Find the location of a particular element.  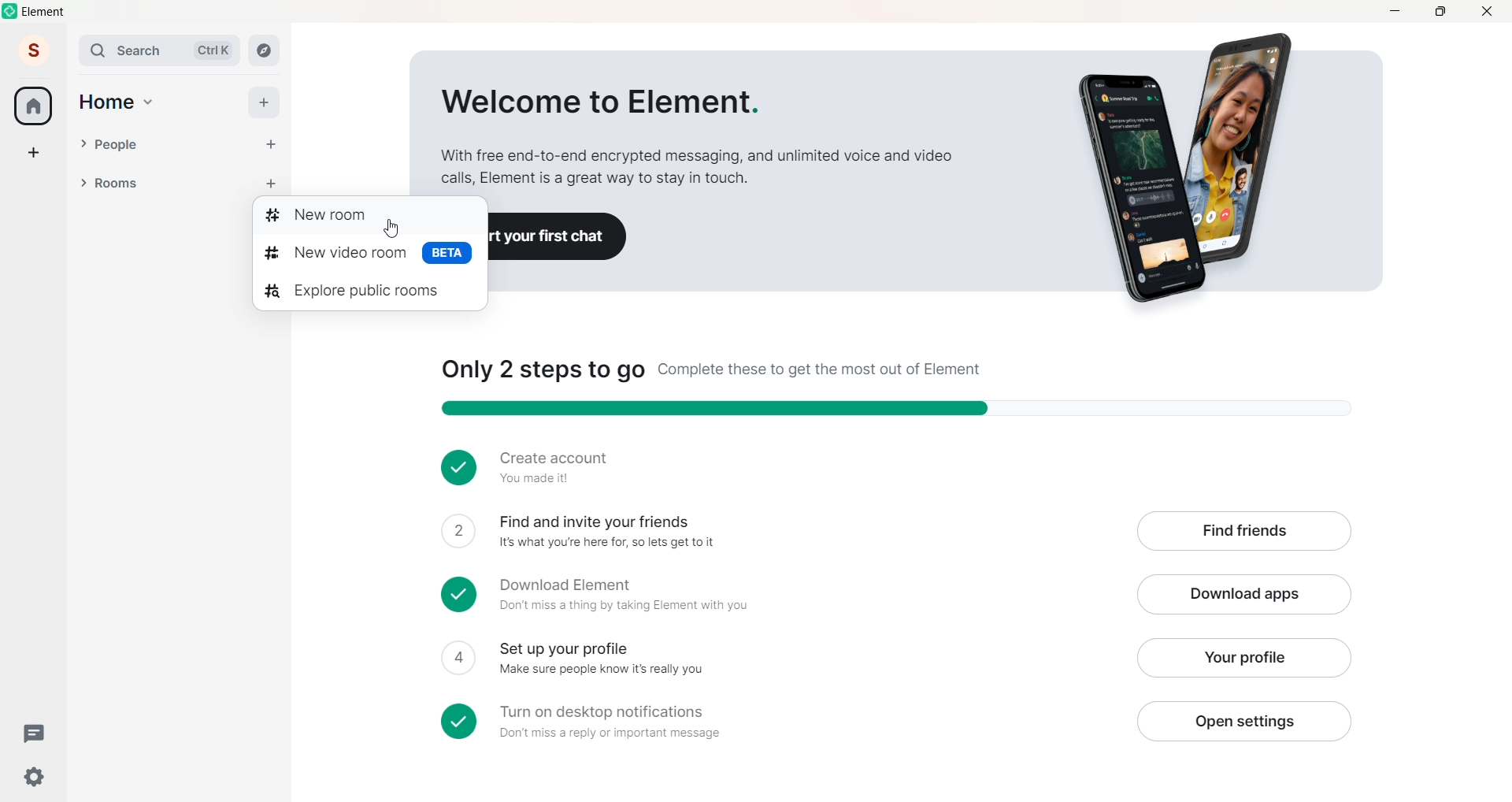

Search Bar is located at coordinates (131, 50).